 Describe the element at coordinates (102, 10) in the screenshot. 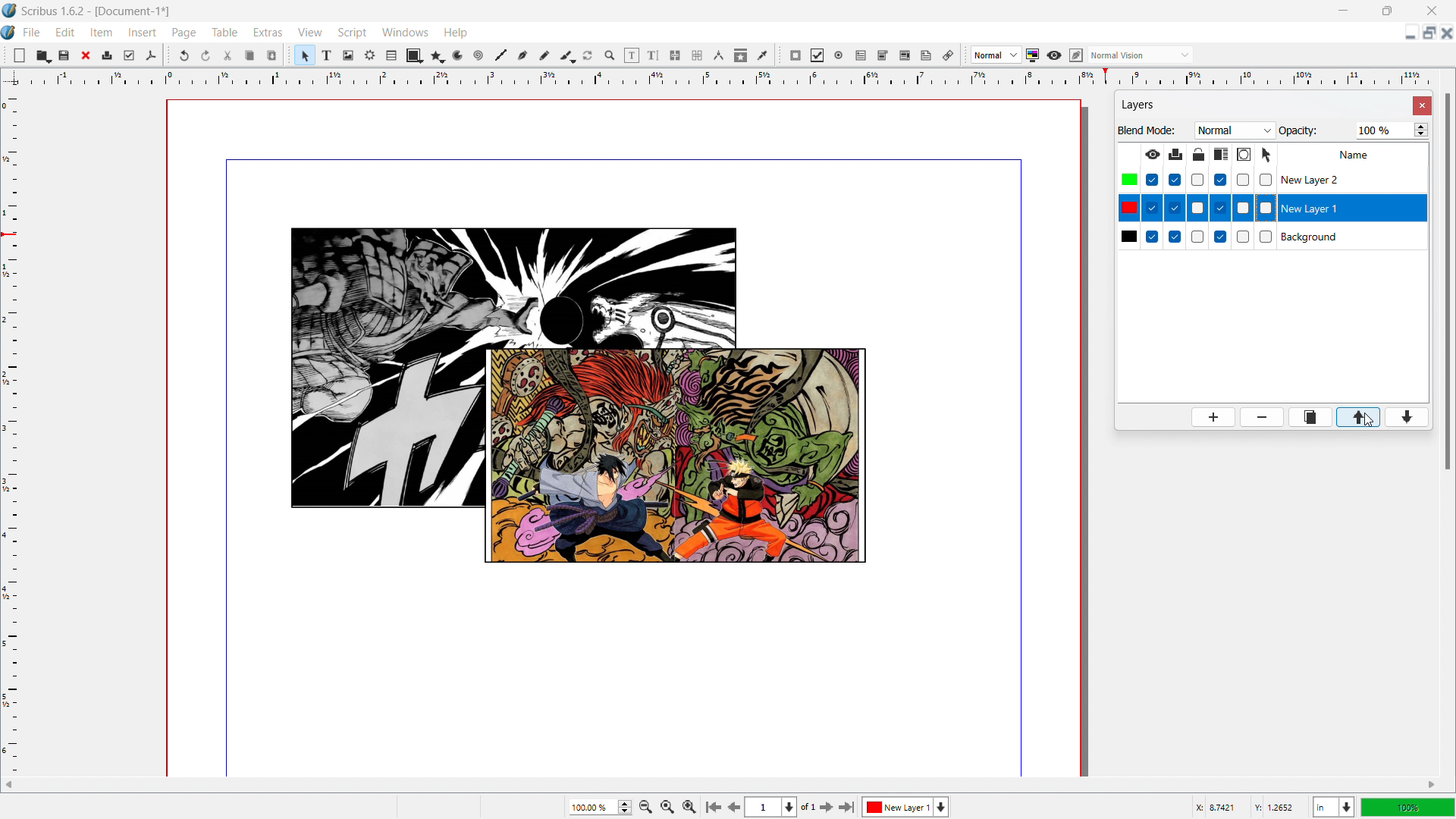

I see `Scribus 1.6.2-[Document-1]` at that location.